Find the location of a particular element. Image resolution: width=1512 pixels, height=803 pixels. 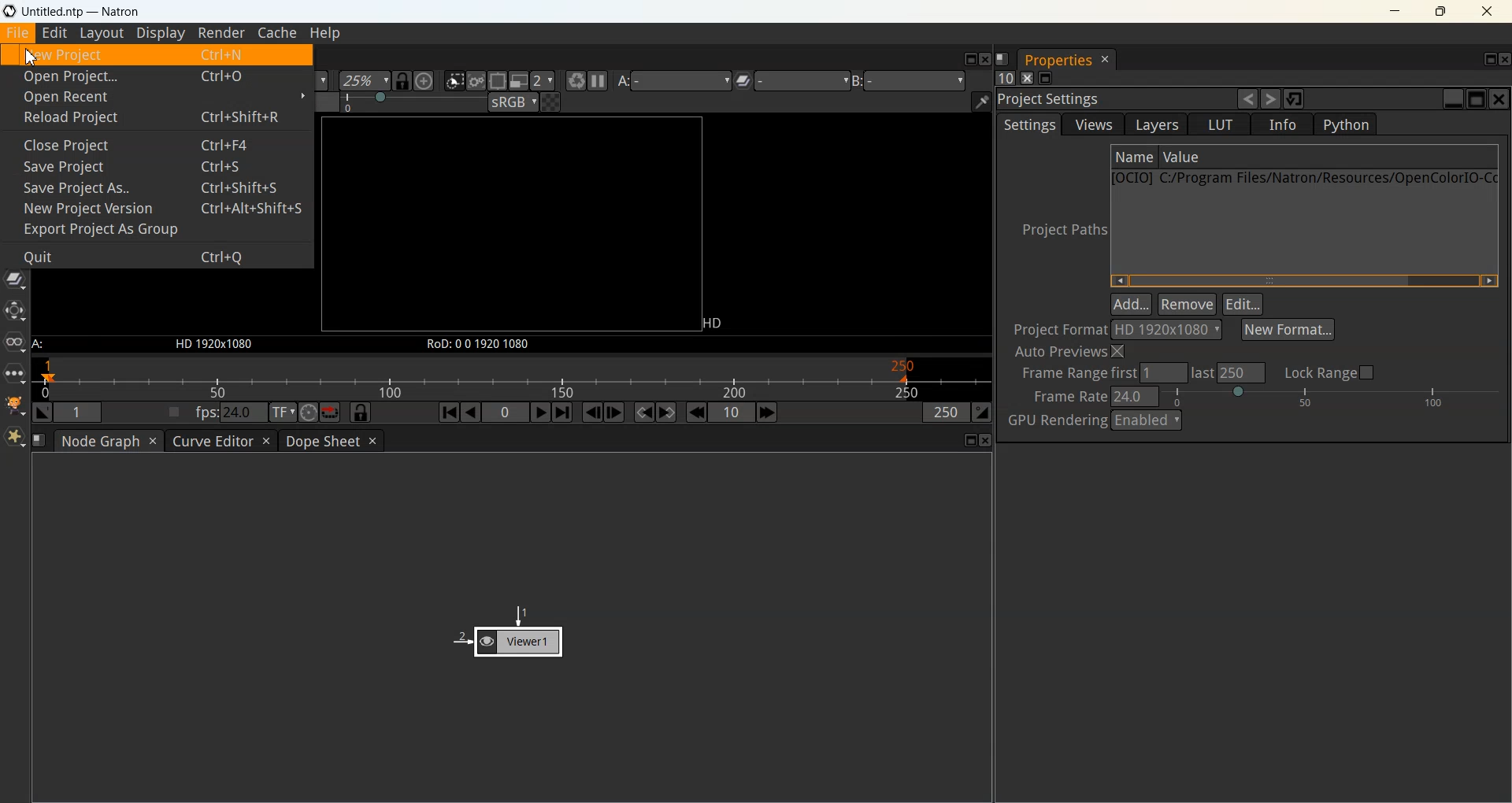

Close is located at coordinates (985, 59).